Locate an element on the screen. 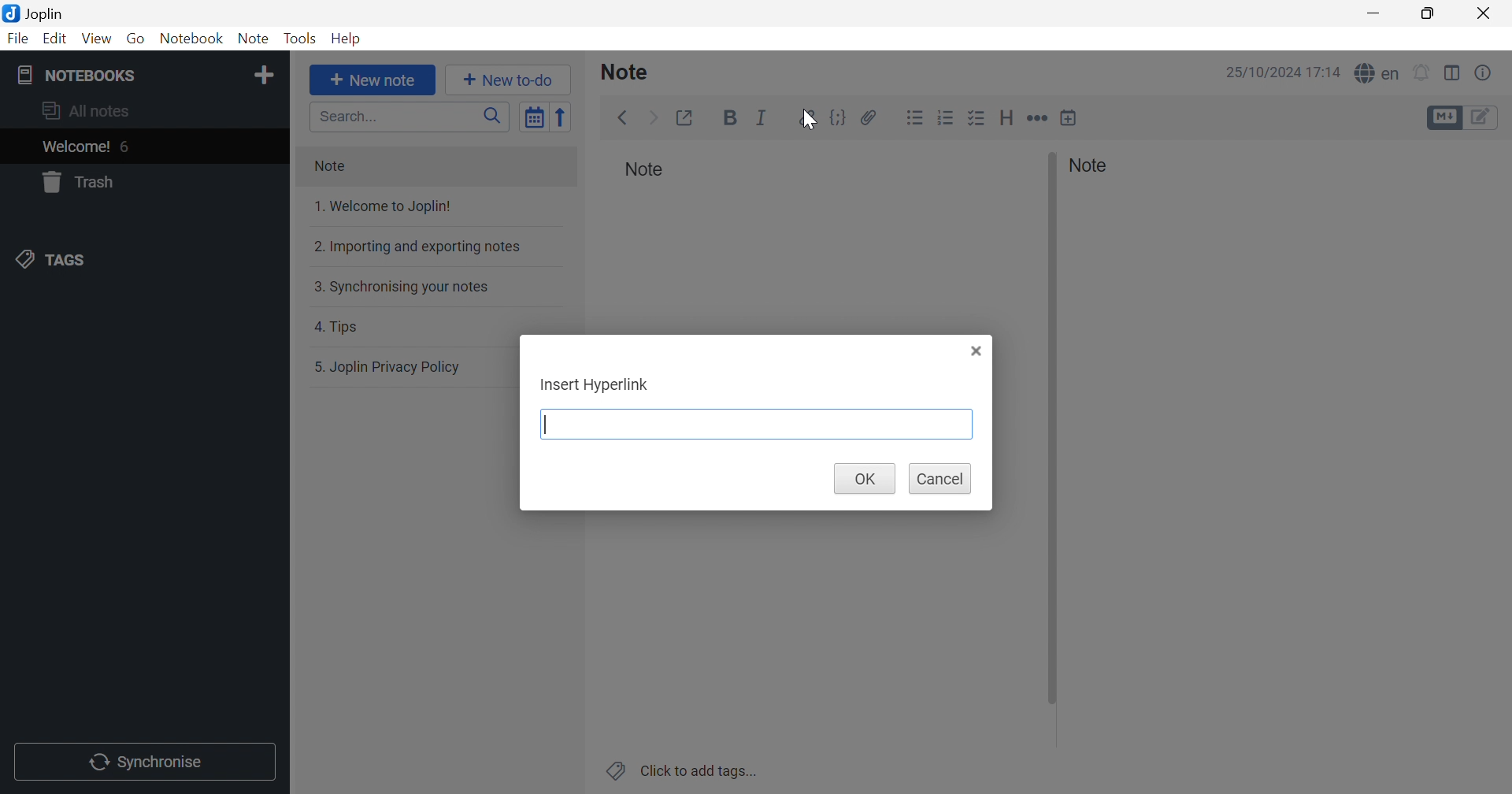 The height and width of the screenshot is (794, 1512). Code is located at coordinates (839, 117).